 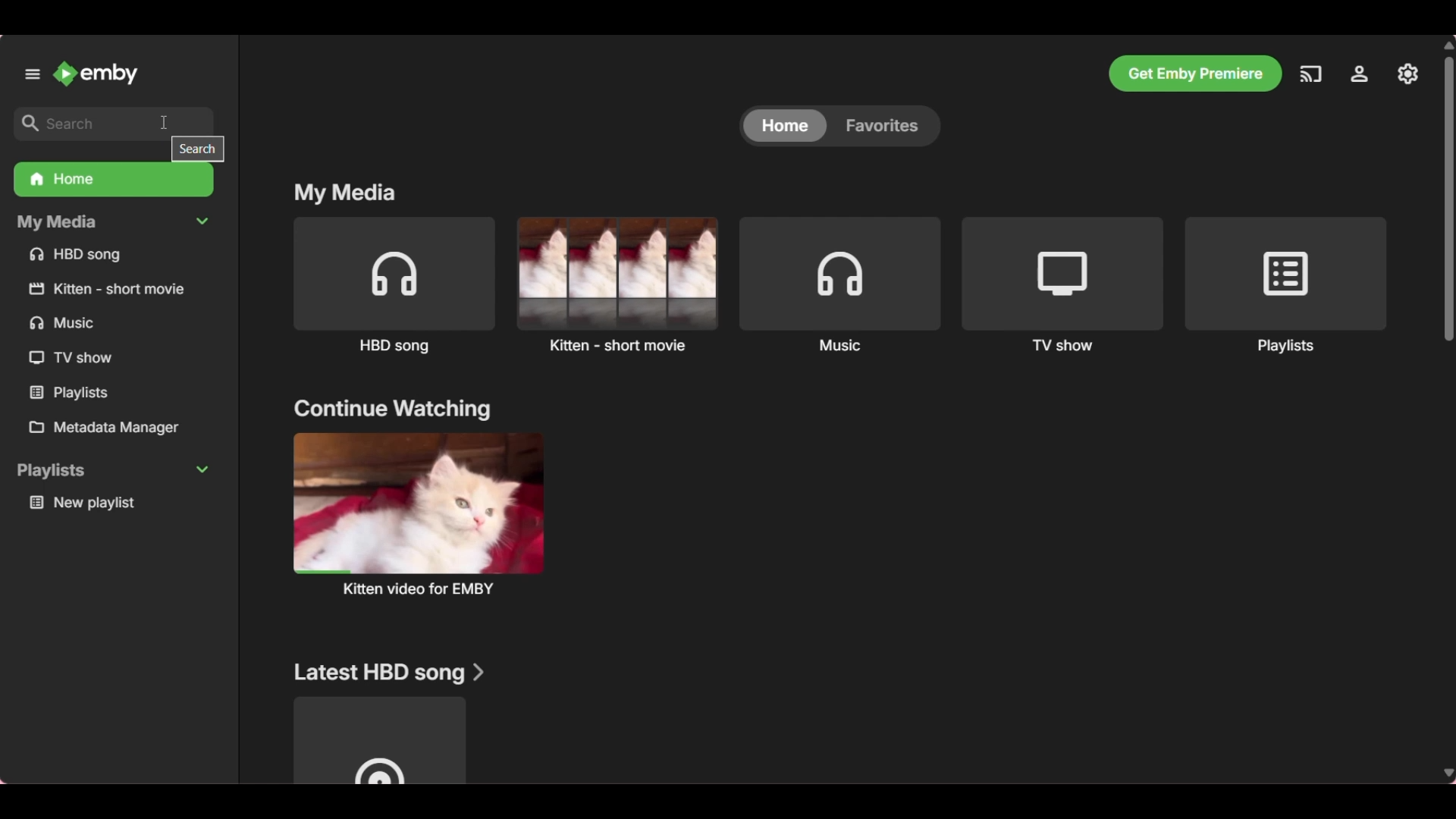 I want to click on Media under above mentioned title, so click(x=378, y=740).